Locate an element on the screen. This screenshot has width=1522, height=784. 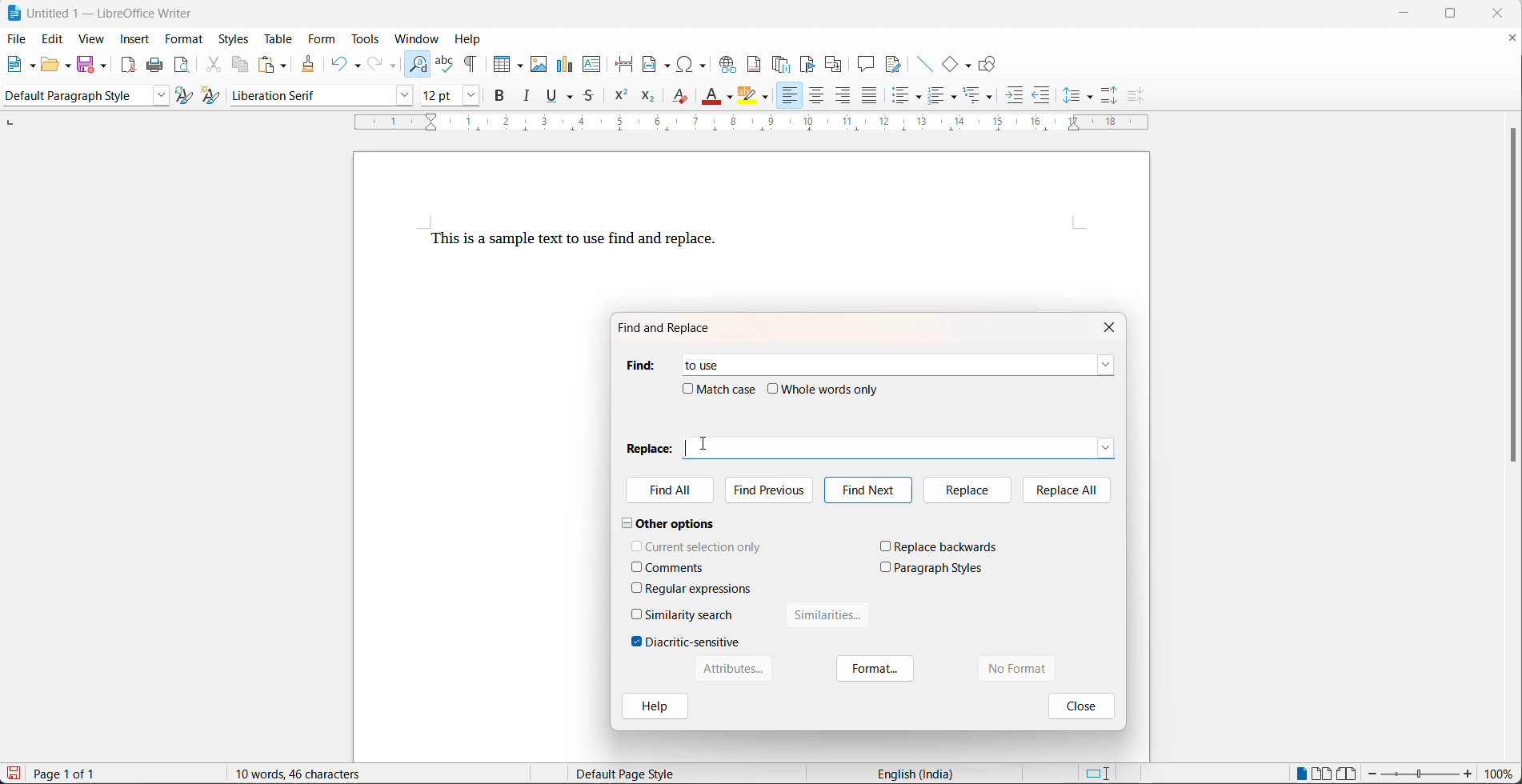
insert text is located at coordinates (593, 66).